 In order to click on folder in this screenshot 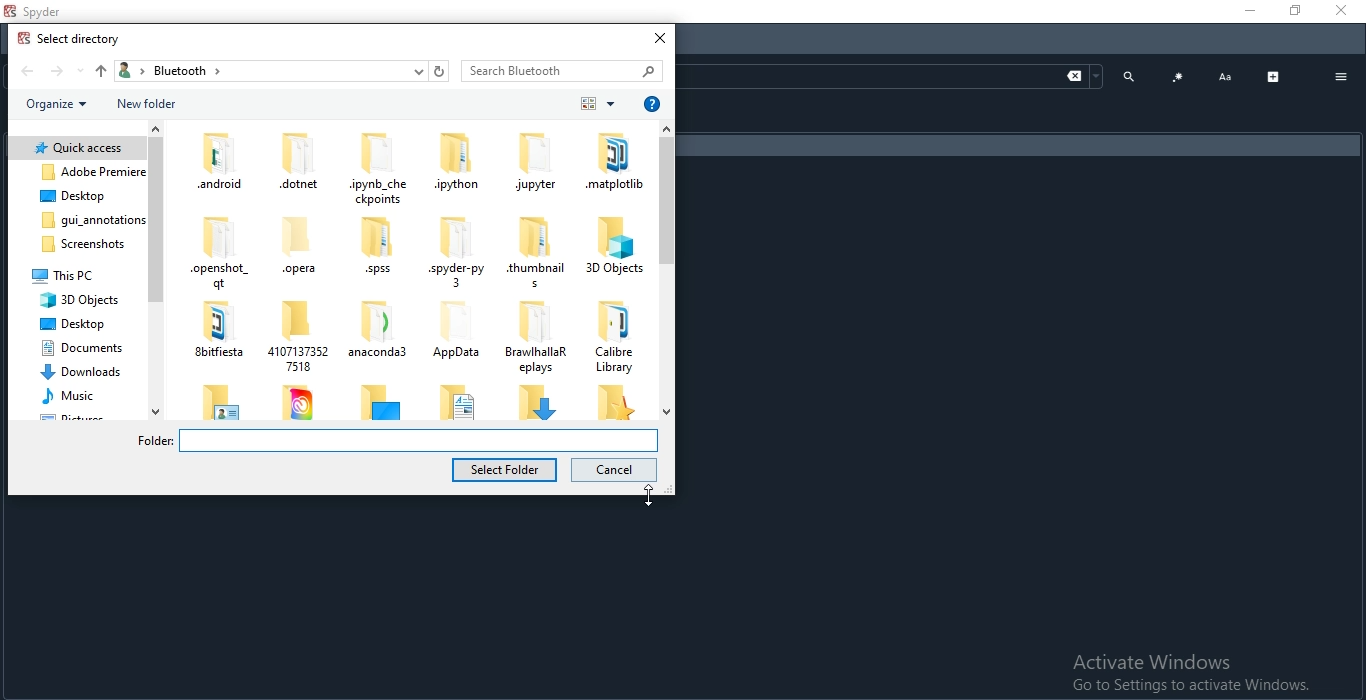, I will do `click(609, 403)`.